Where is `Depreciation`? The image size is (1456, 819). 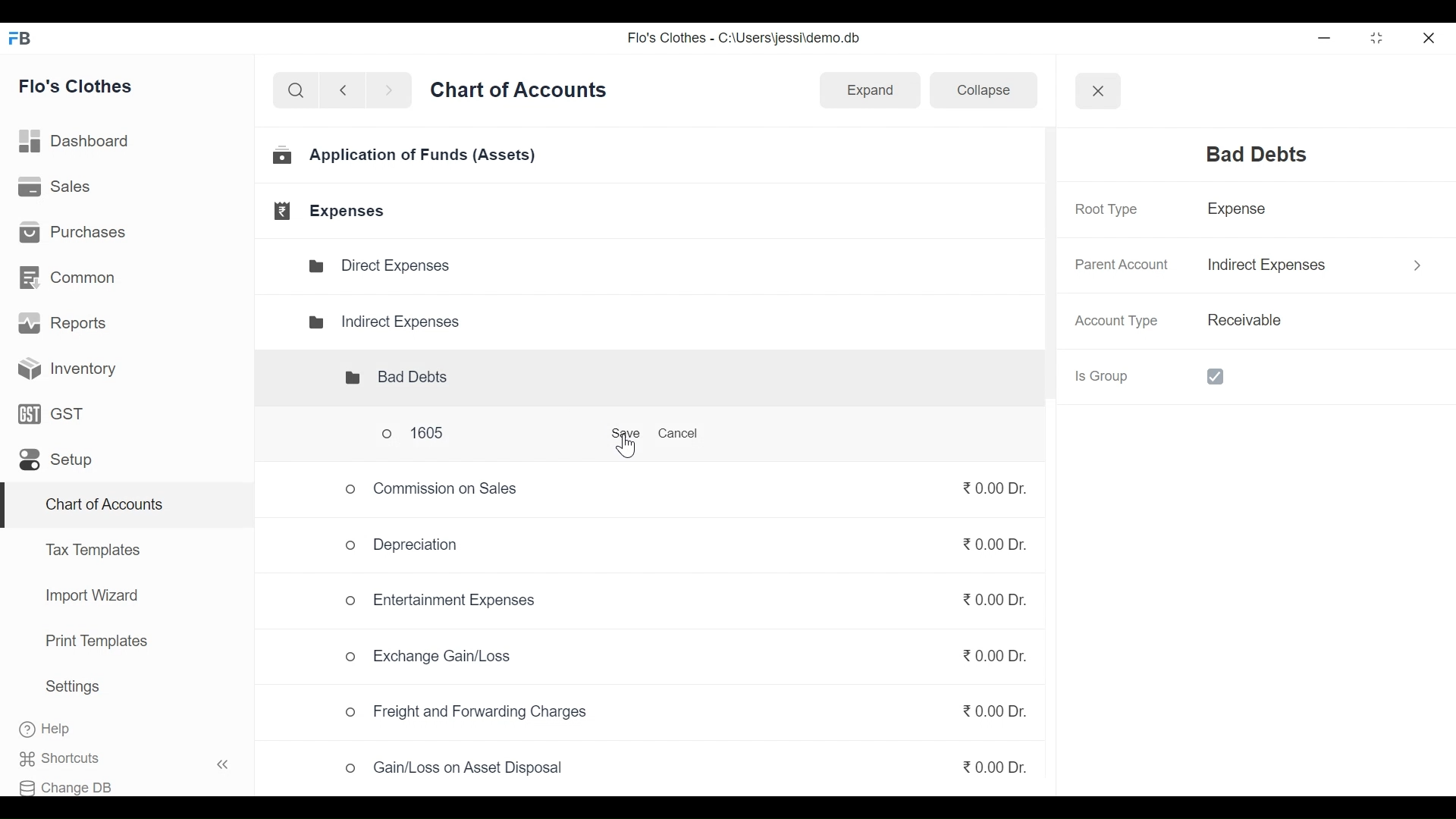
Depreciation is located at coordinates (395, 544).